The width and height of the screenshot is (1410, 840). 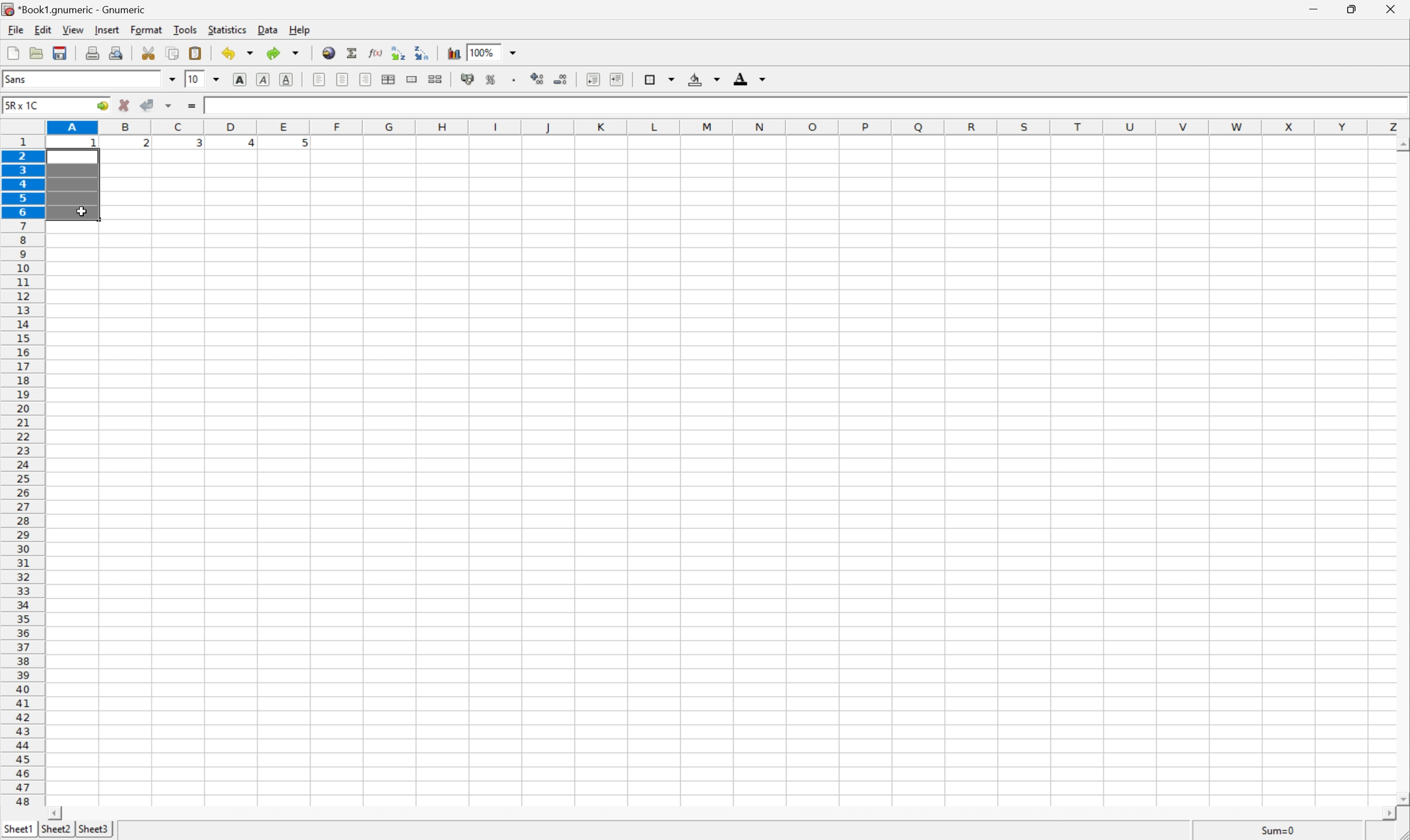 What do you see at coordinates (514, 80) in the screenshot?
I see `Set the format of the selected cells to include a thousands separator` at bounding box center [514, 80].